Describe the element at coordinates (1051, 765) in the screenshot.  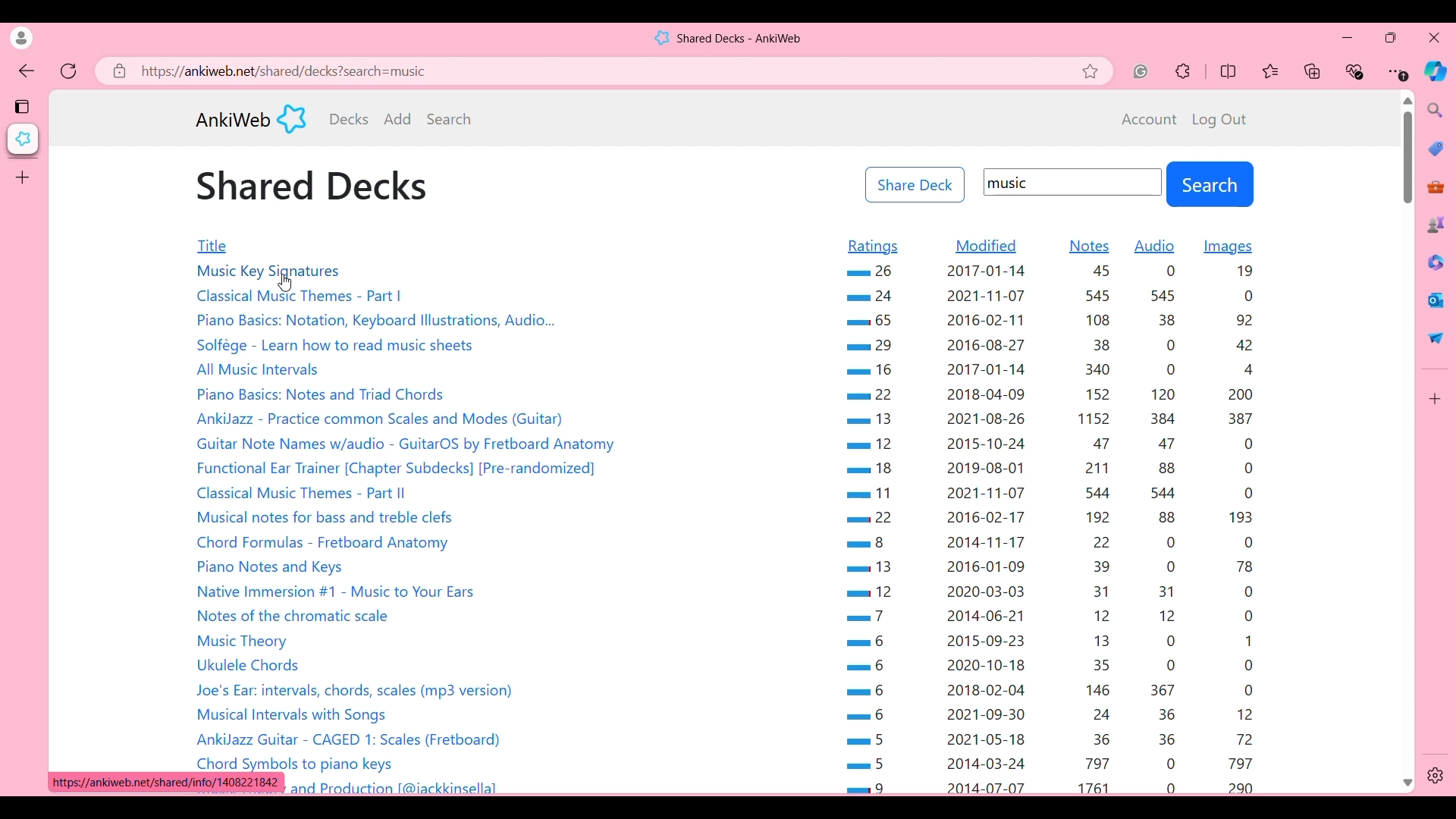
I see `5 2014-03-24 797 0 797` at that location.